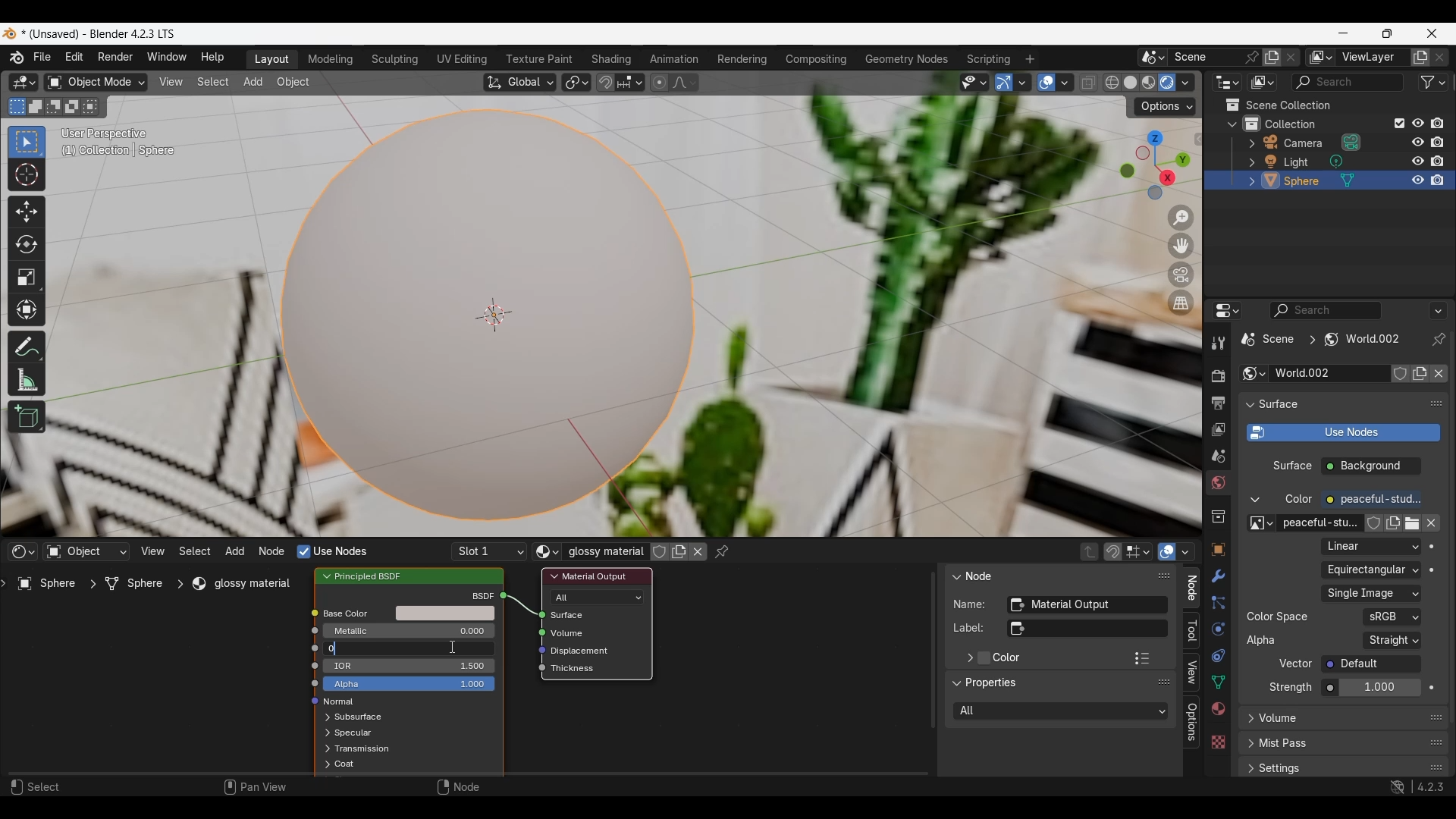  I want to click on Active workspace view, so click(1320, 57).